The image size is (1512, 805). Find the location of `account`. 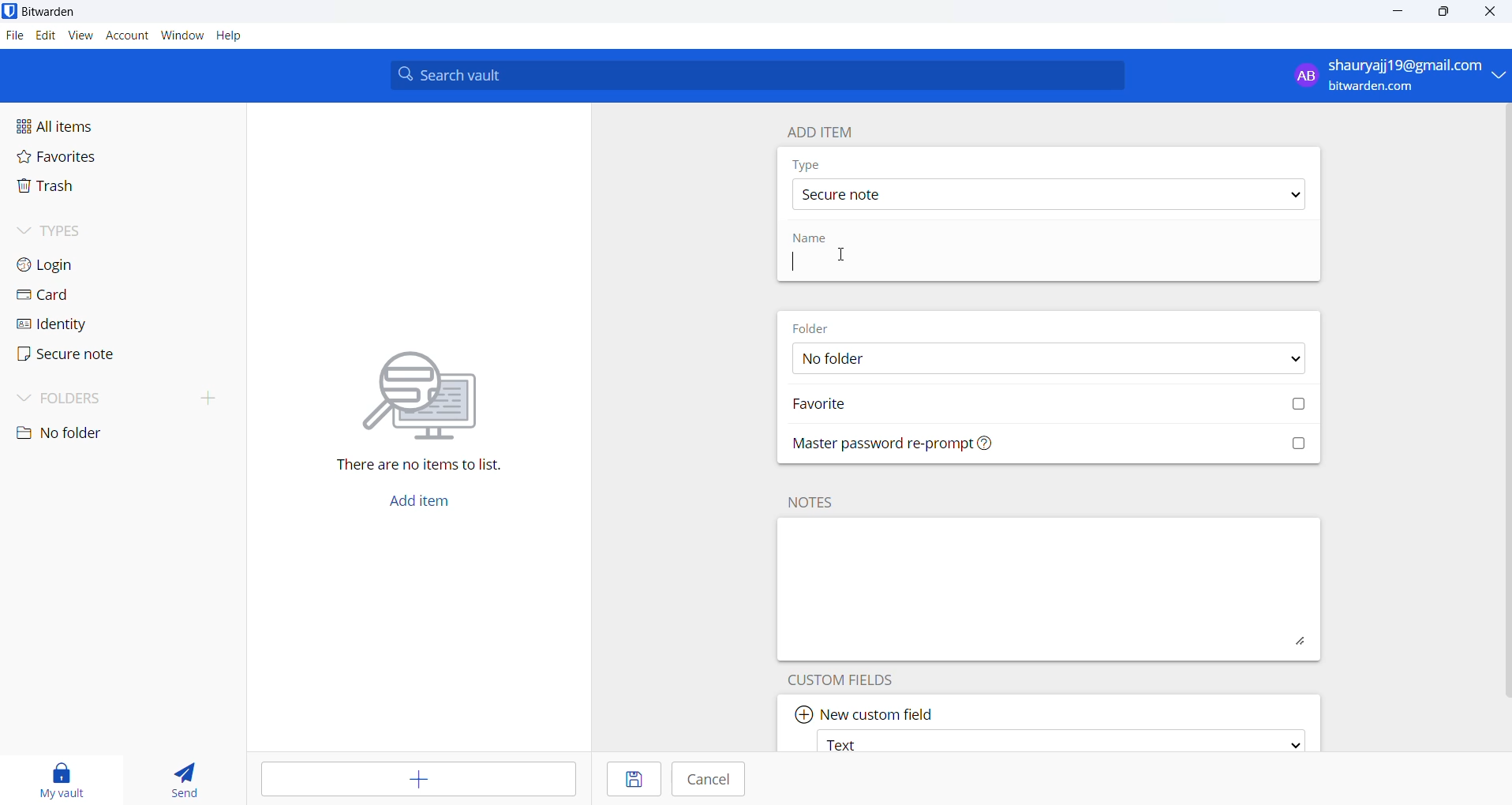

account is located at coordinates (128, 36).